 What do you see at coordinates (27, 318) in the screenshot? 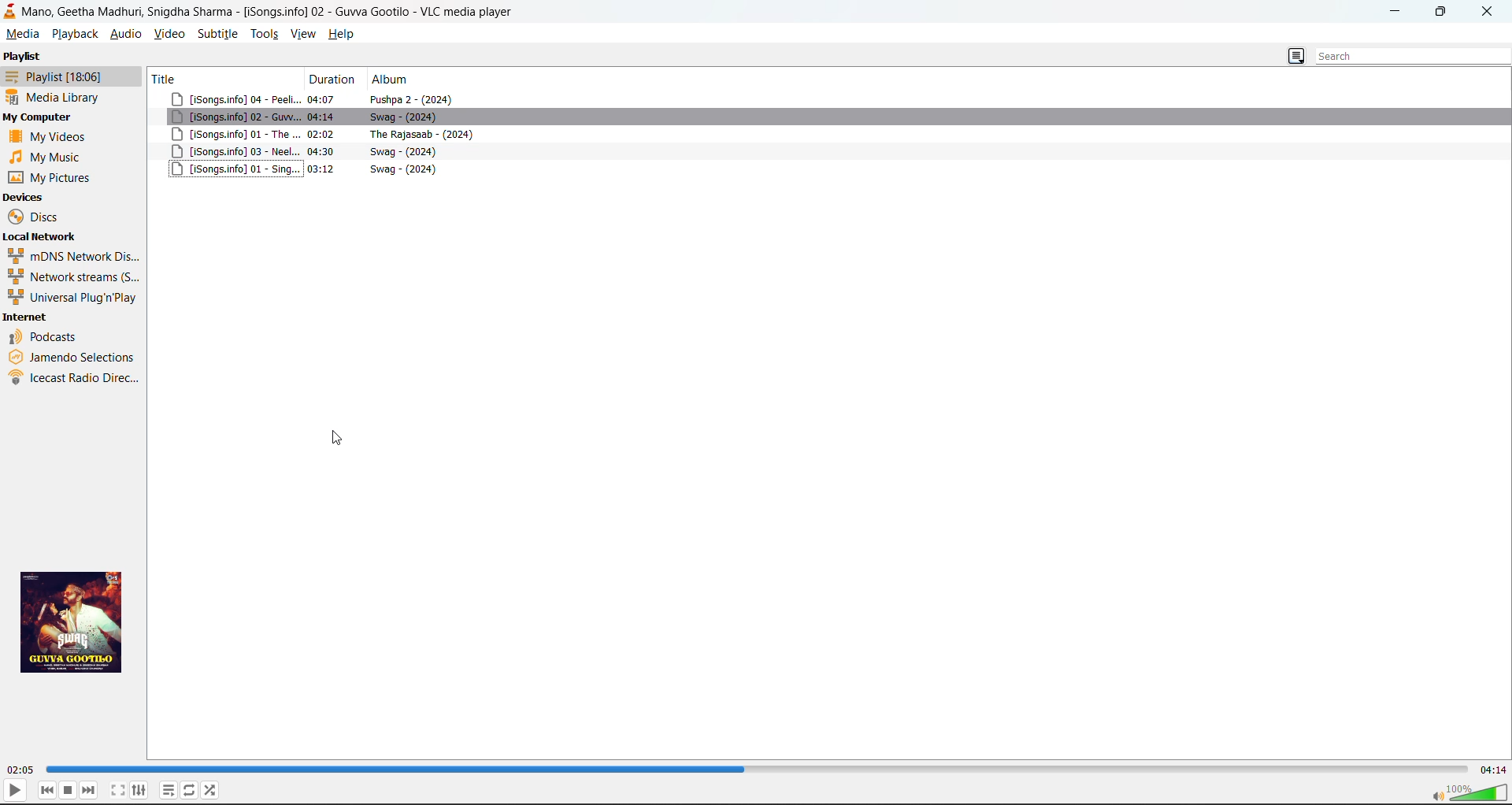
I see `internet` at bounding box center [27, 318].